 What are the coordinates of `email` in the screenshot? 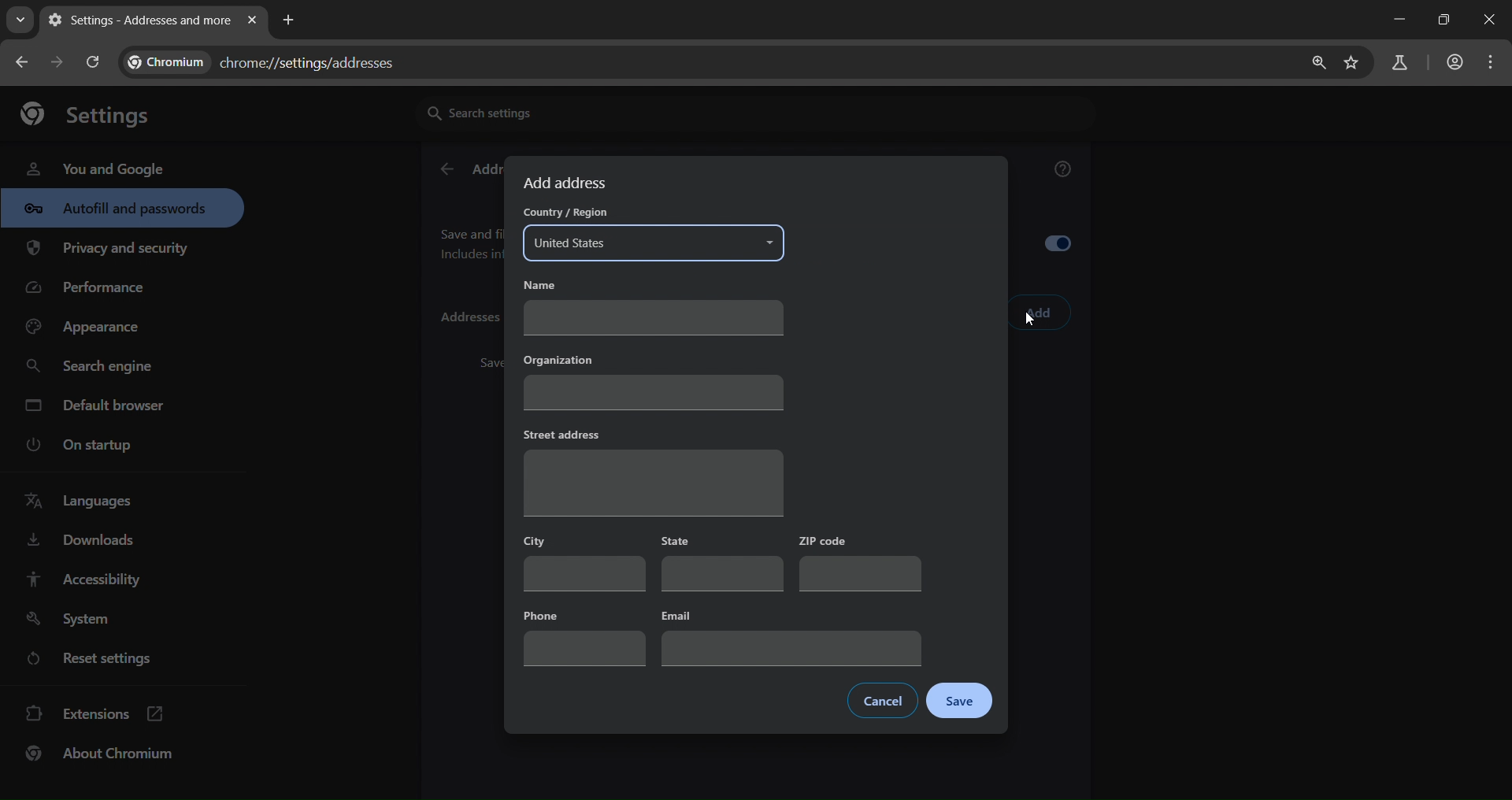 It's located at (790, 636).